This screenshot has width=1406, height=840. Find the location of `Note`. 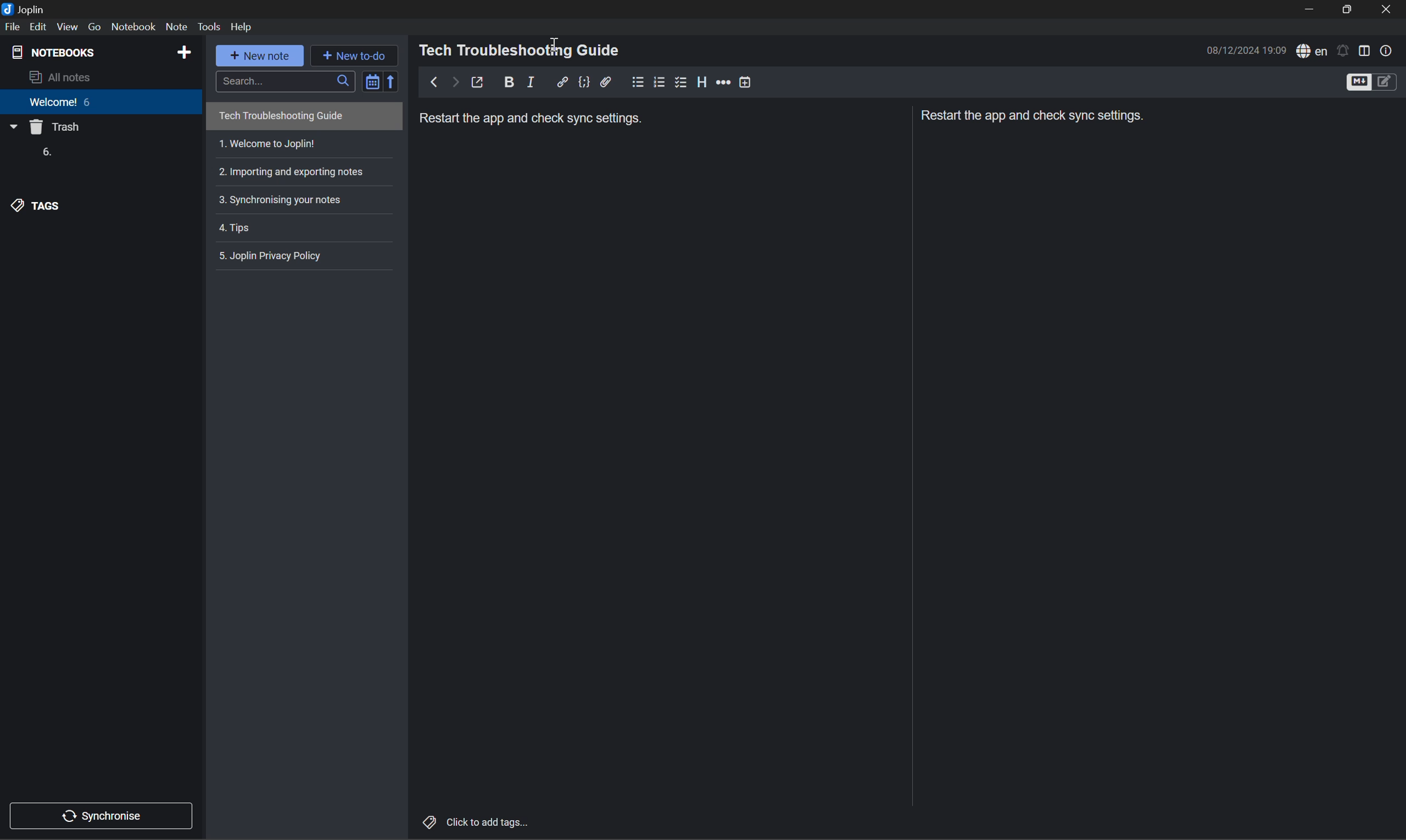

Note is located at coordinates (176, 27).